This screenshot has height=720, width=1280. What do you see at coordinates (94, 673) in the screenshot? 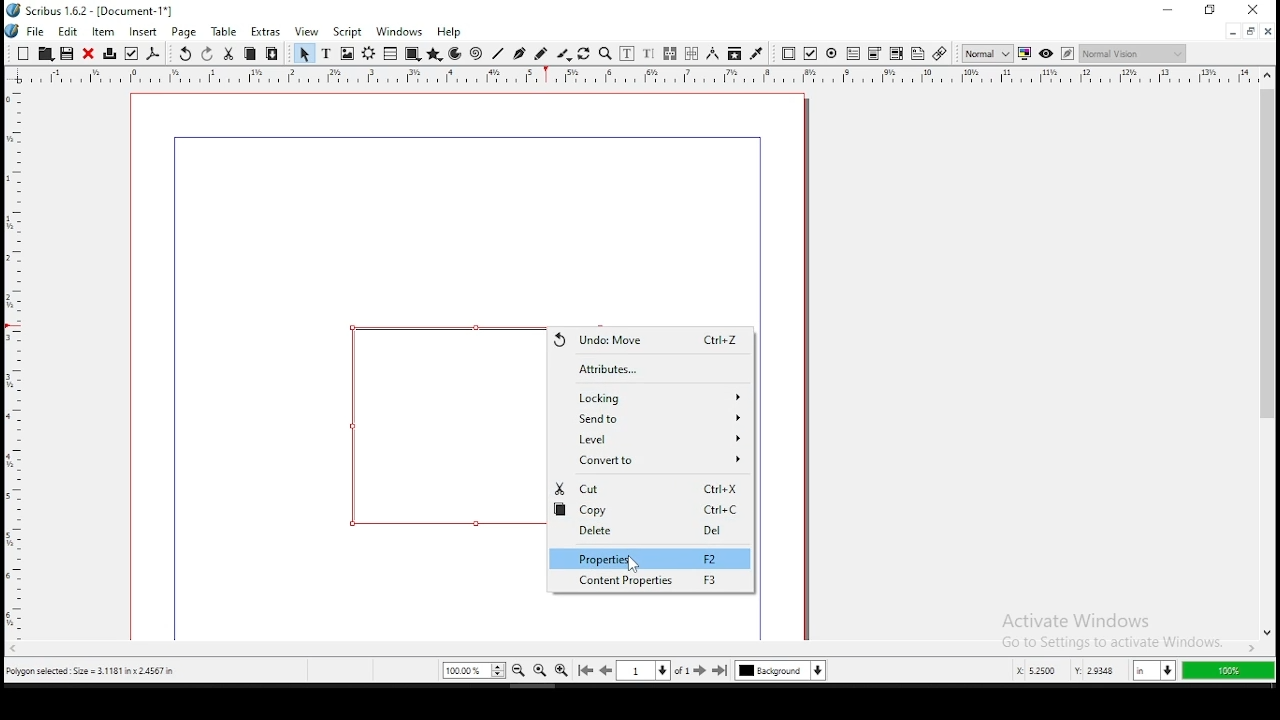
I see `polygon selected size= 3.1181 inch x 2.4567 in` at bounding box center [94, 673].